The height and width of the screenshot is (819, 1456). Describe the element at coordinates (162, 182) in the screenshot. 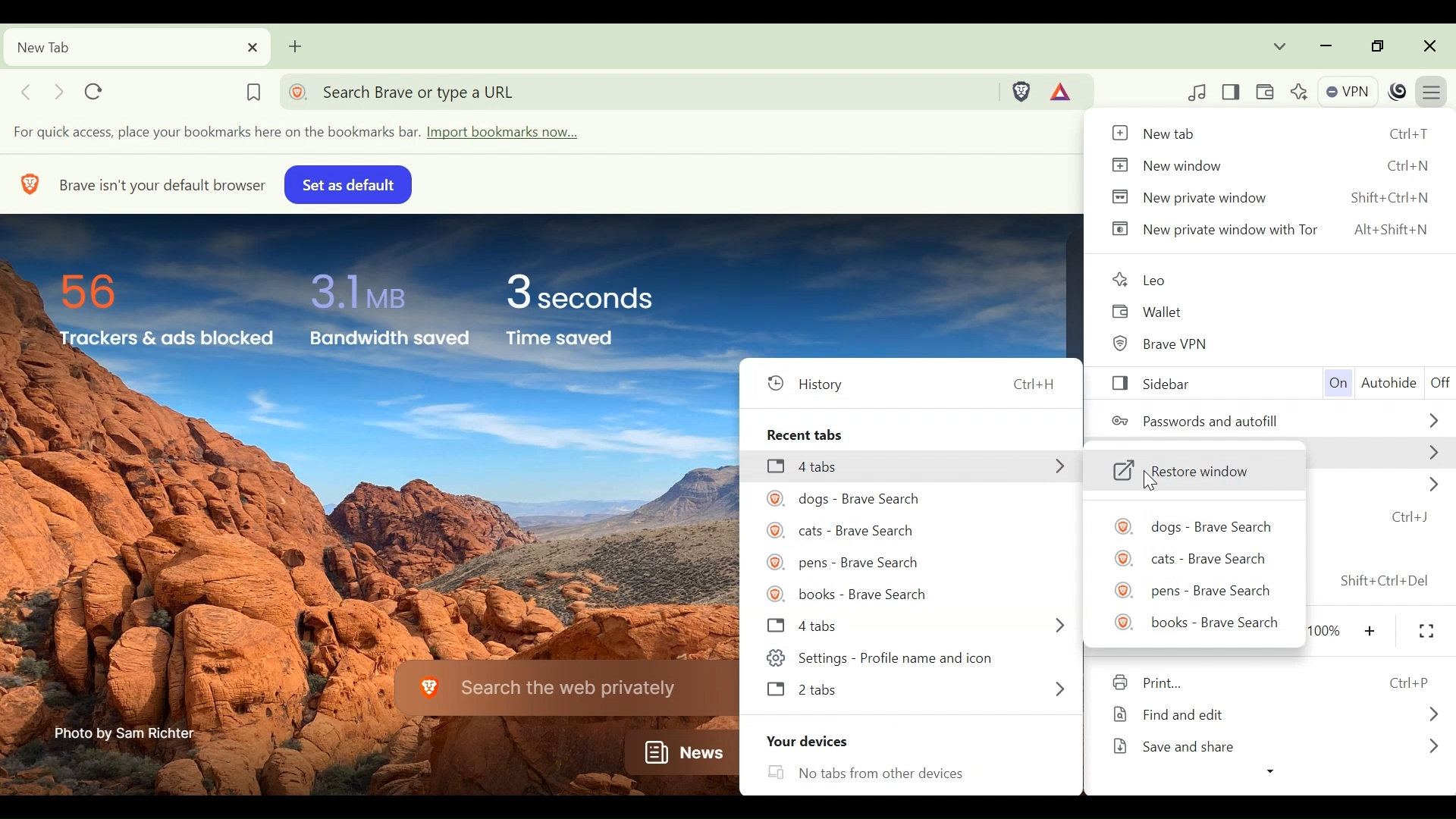

I see `Brave isn't your default browser` at that location.